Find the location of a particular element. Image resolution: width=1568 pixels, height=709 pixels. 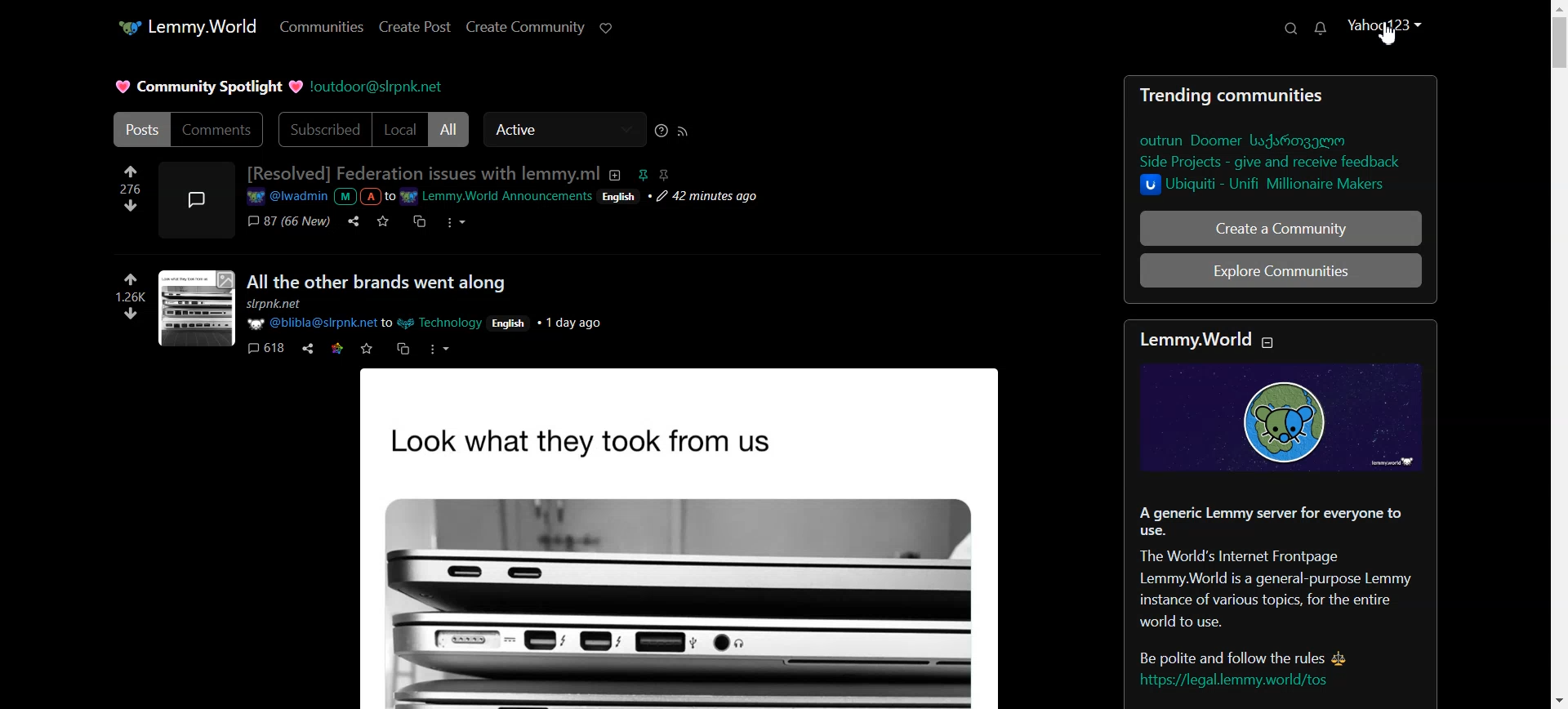

Sorting Help is located at coordinates (661, 131).